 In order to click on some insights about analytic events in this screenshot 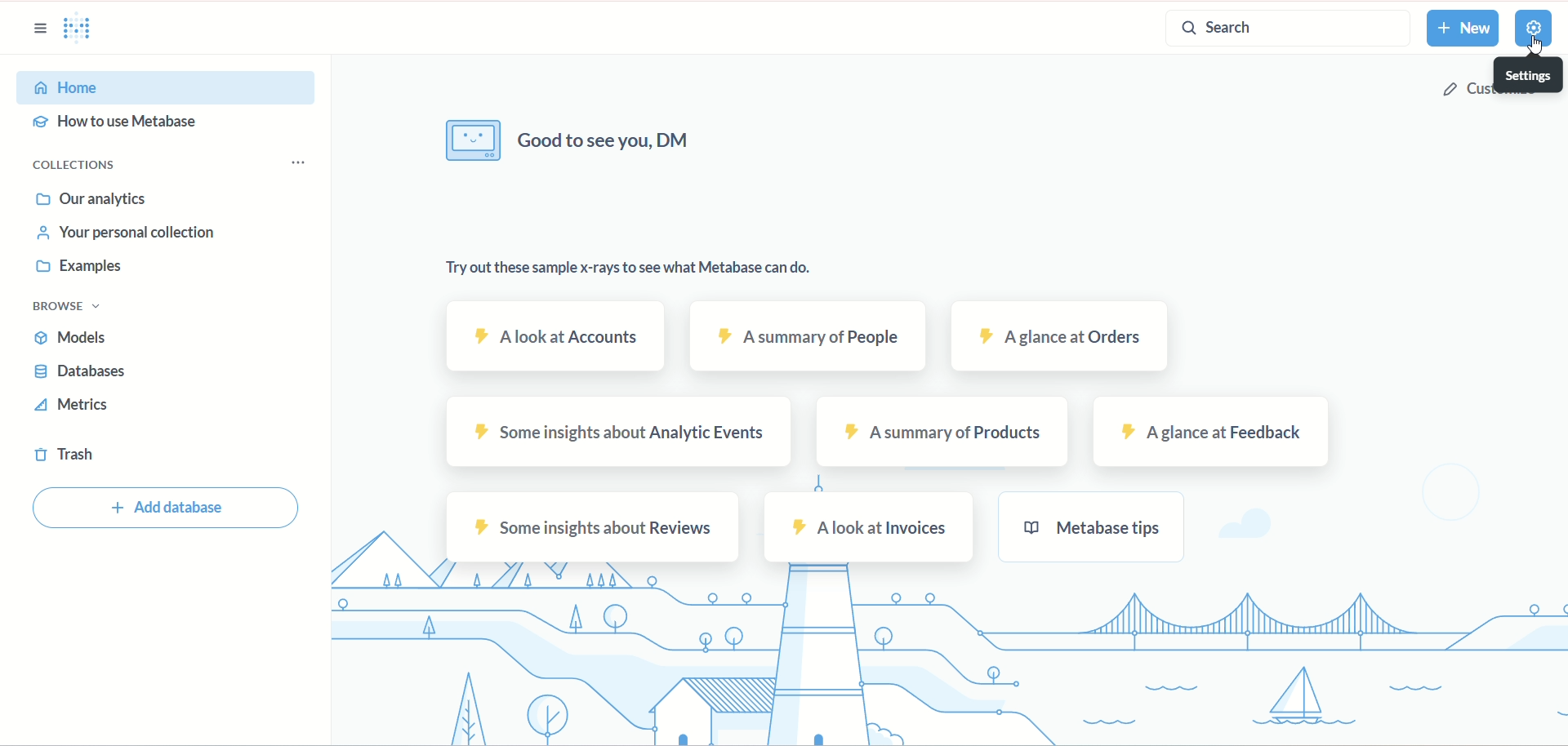, I will do `click(619, 431)`.